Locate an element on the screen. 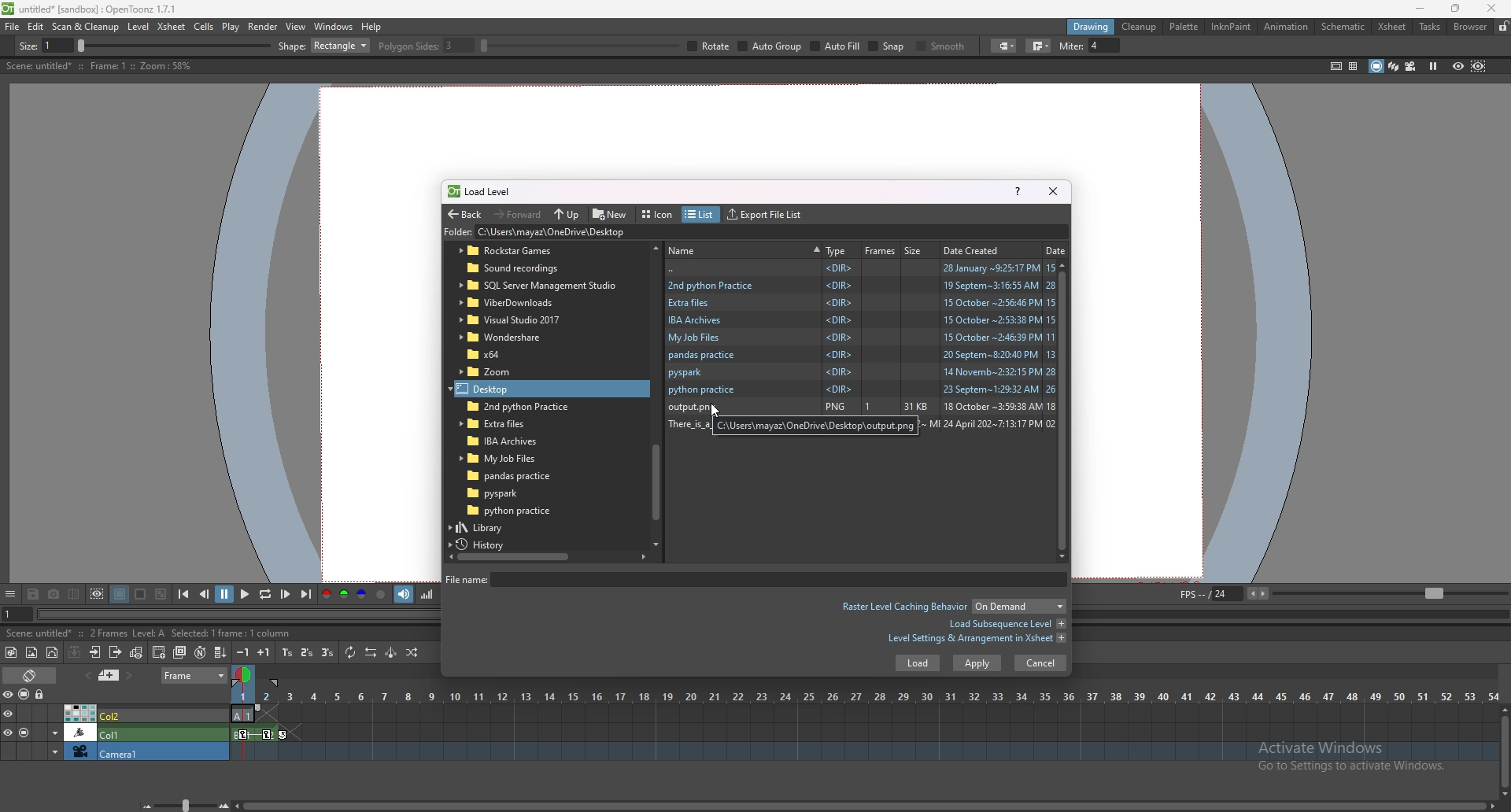  folder is located at coordinates (516, 476).